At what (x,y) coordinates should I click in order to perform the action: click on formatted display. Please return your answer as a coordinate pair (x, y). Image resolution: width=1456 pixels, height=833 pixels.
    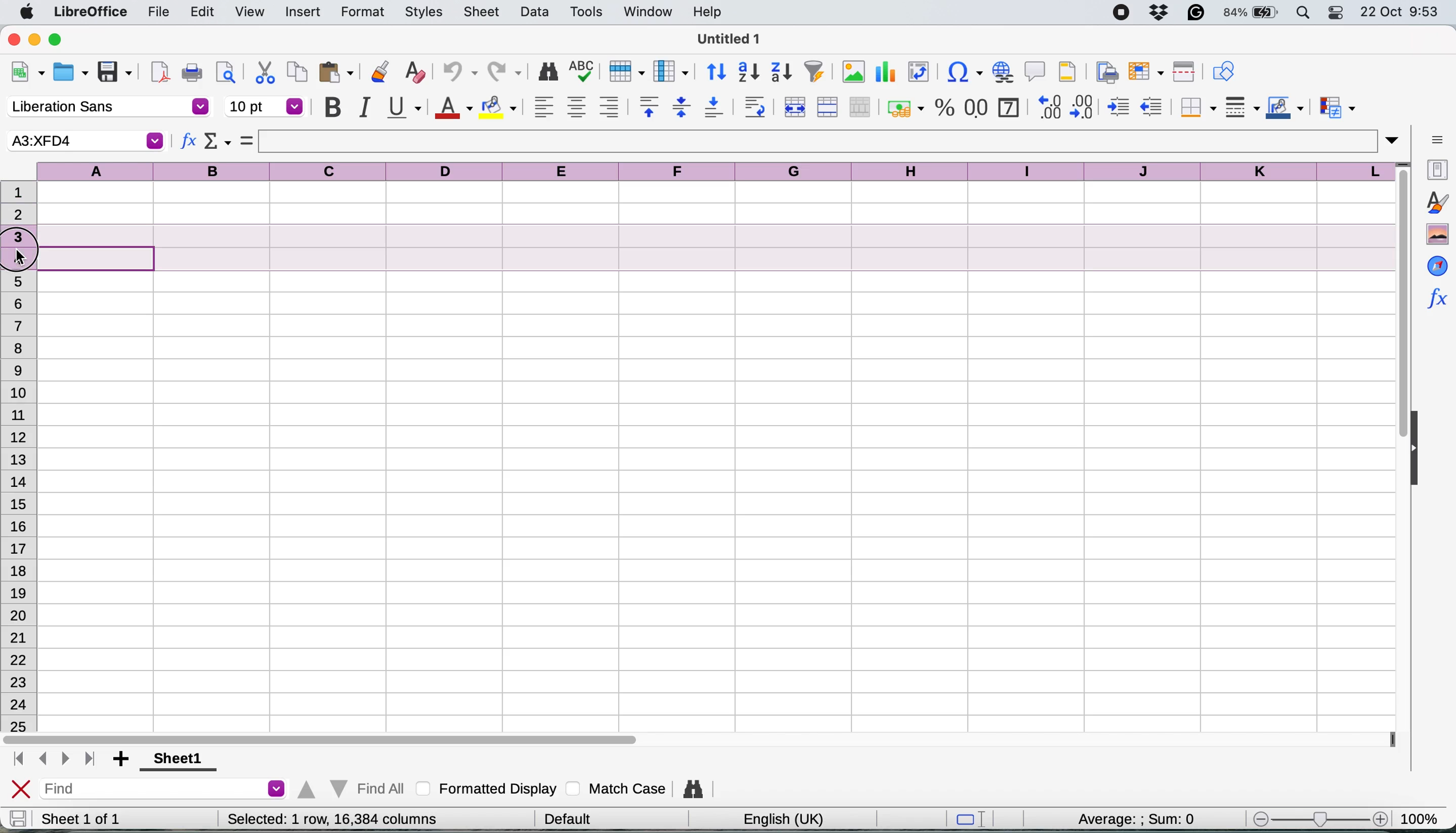
    Looking at the image, I should click on (489, 787).